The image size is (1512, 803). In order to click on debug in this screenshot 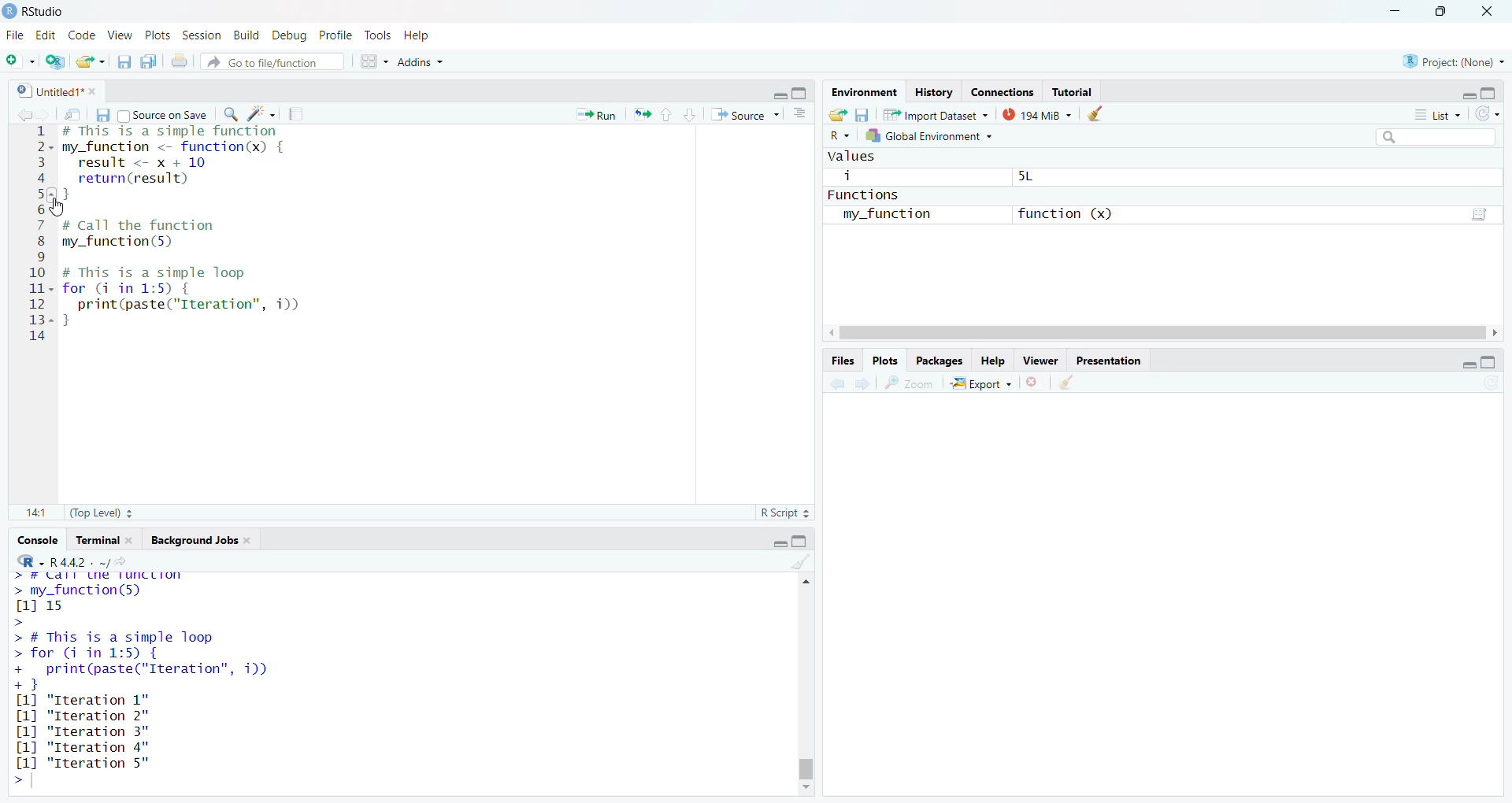, I will do `click(290, 33)`.